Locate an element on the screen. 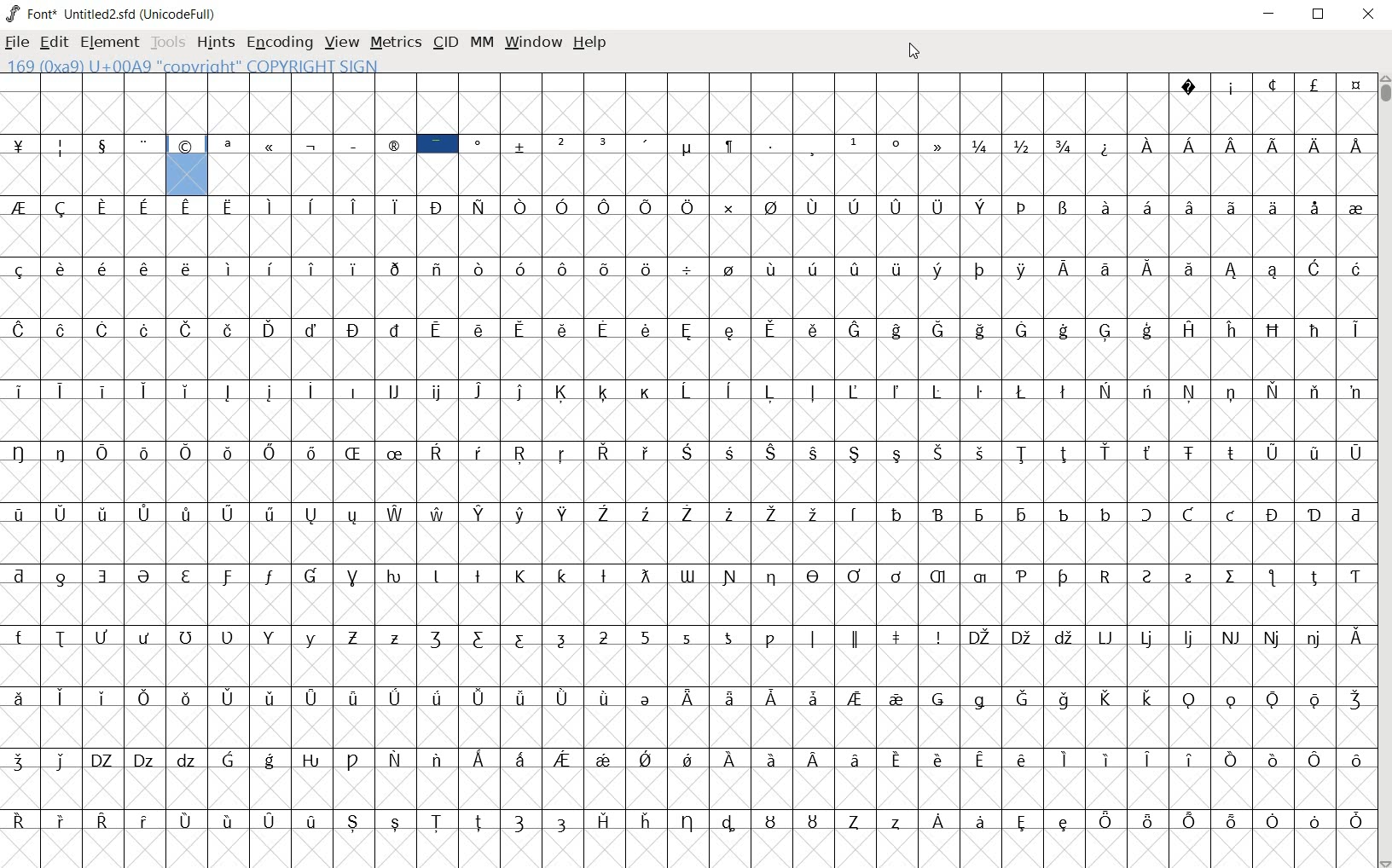  file is located at coordinates (17, 44).